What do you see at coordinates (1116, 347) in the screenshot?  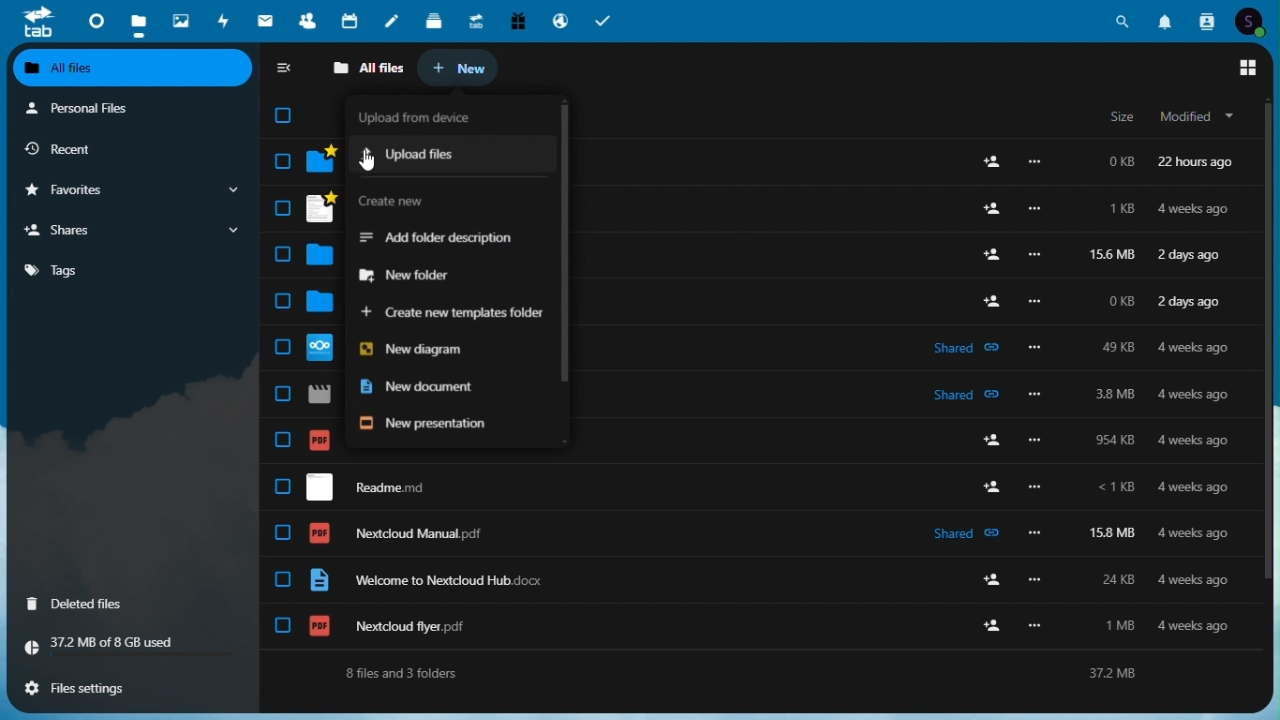 I see `49kb` at bounding box center [1116, 347].